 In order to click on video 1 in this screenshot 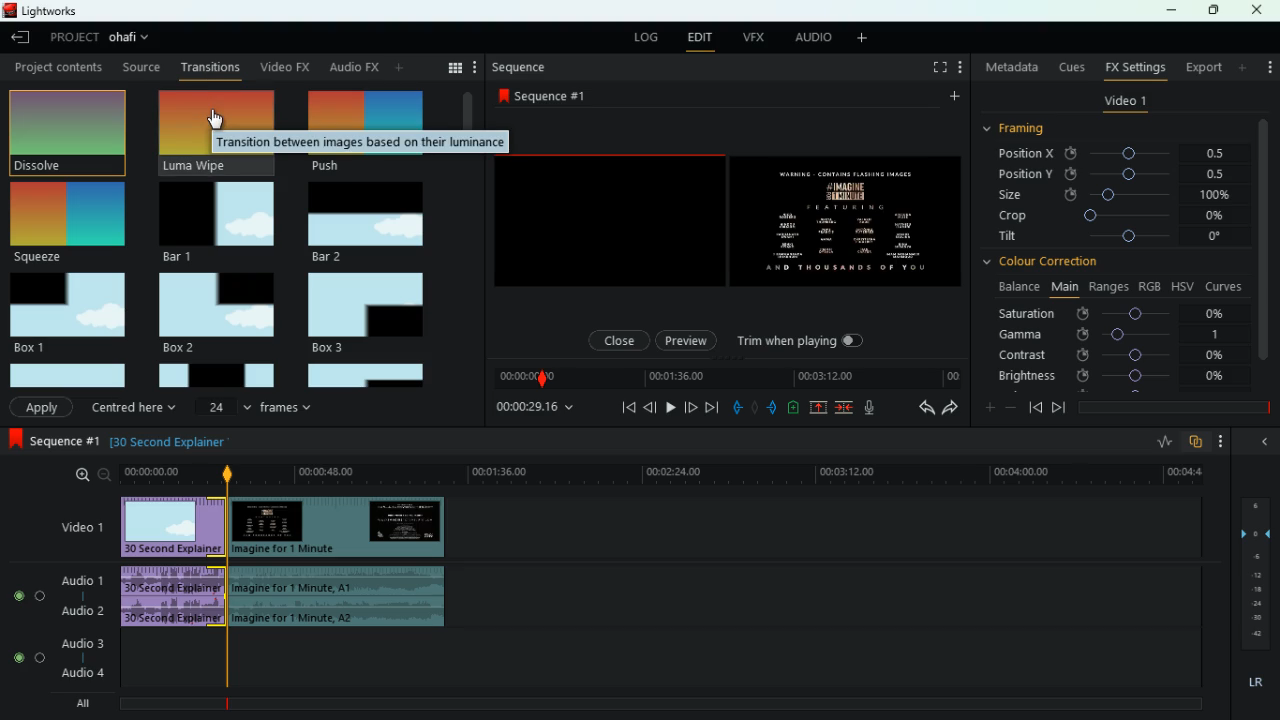, I will do `click(77, 528)`.